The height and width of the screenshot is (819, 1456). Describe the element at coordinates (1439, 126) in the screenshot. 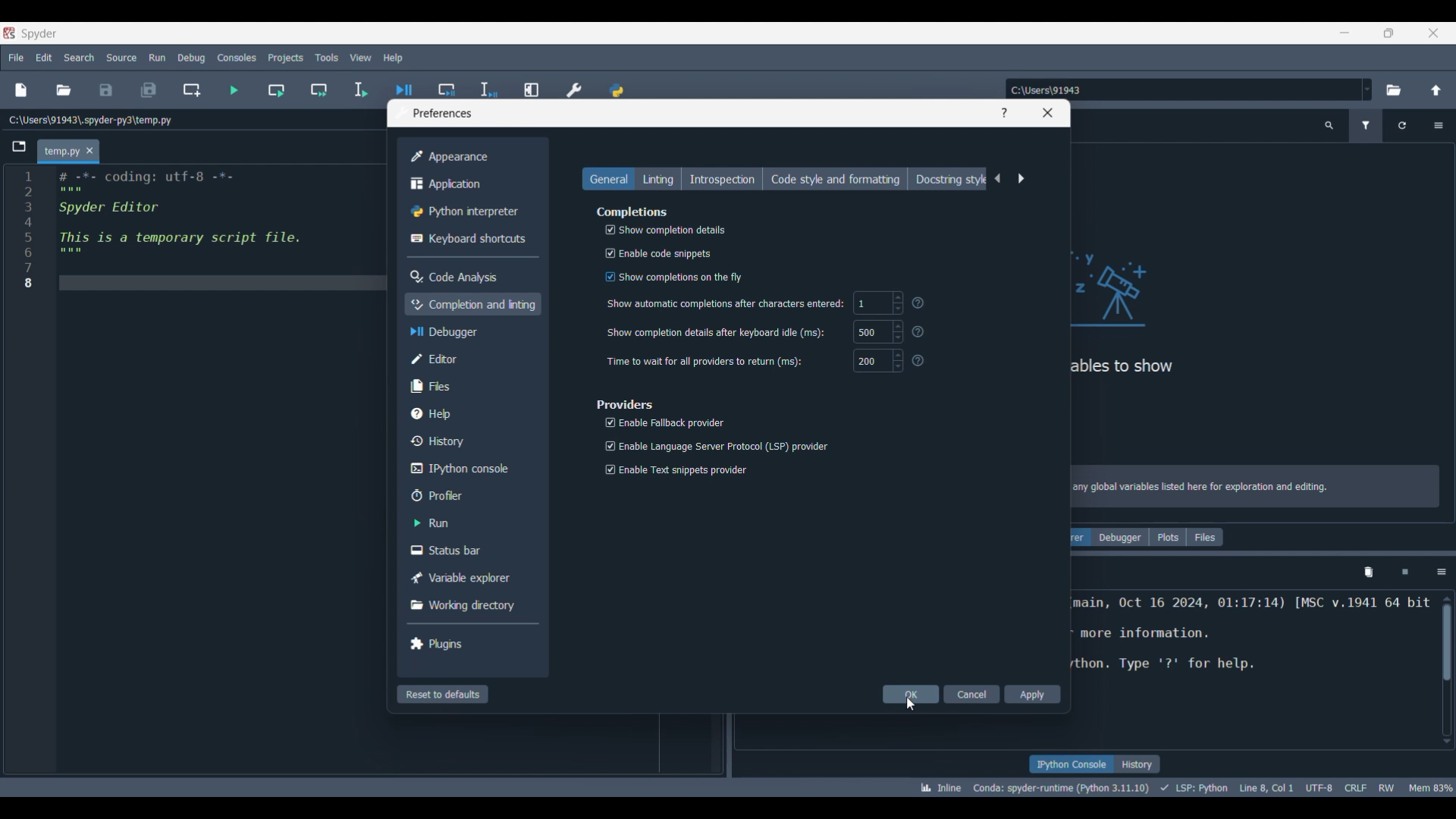

I see `Options` at that location.